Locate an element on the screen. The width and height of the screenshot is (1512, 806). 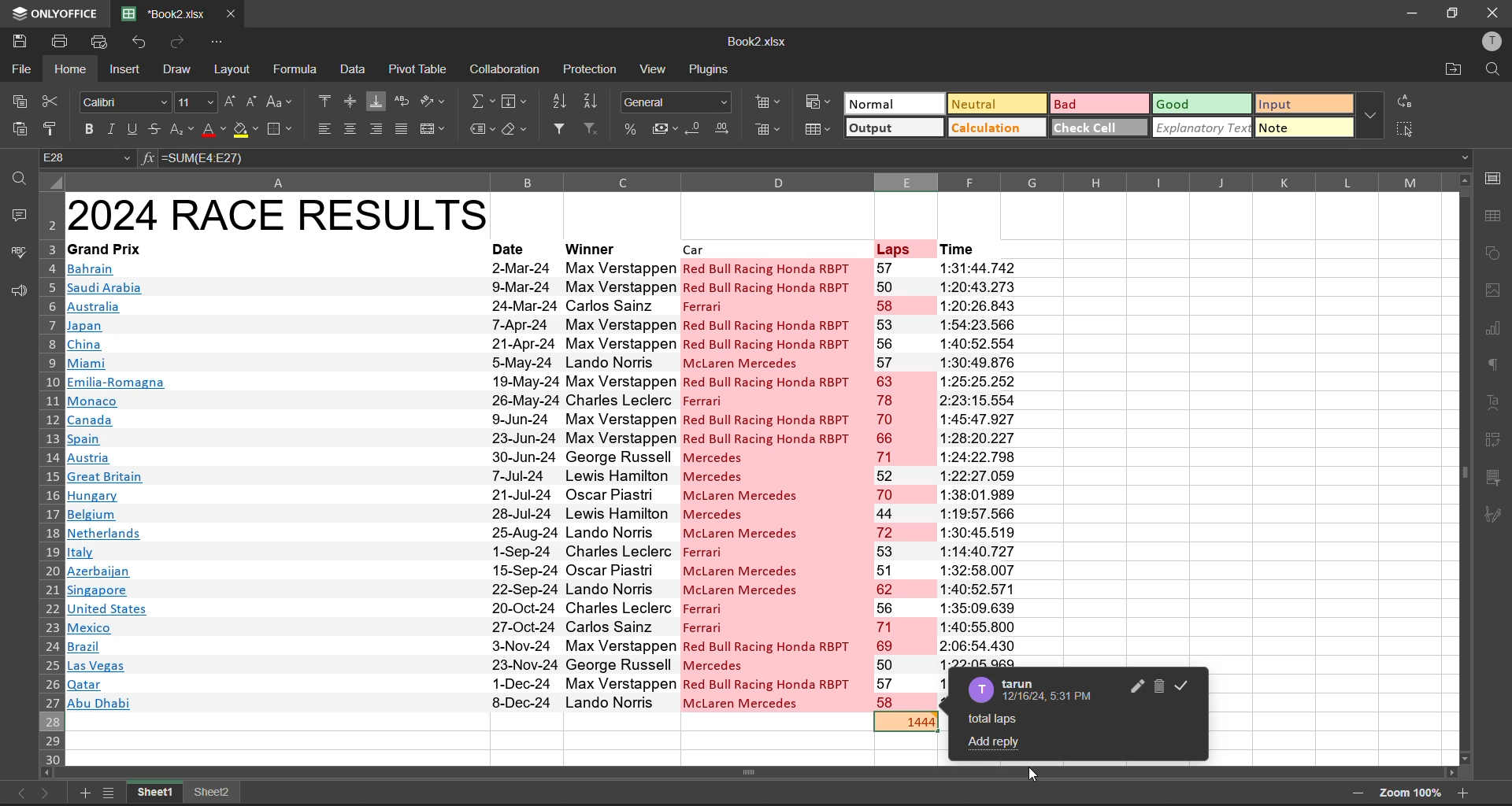
zoom out is located at coordinates (1359, 793).